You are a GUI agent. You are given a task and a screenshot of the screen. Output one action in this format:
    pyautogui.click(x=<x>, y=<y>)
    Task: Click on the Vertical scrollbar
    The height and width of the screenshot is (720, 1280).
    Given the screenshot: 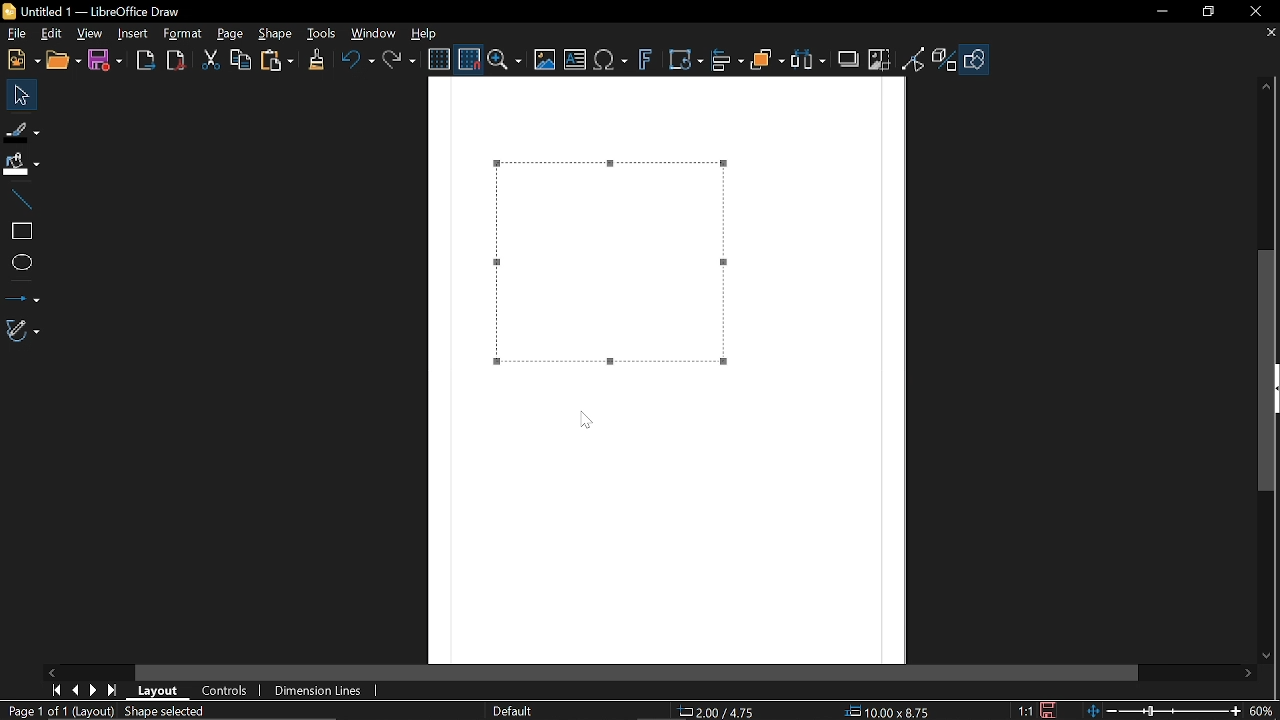 What is the action you would take?
    pyautogui.click(x=1271, y=371)
    